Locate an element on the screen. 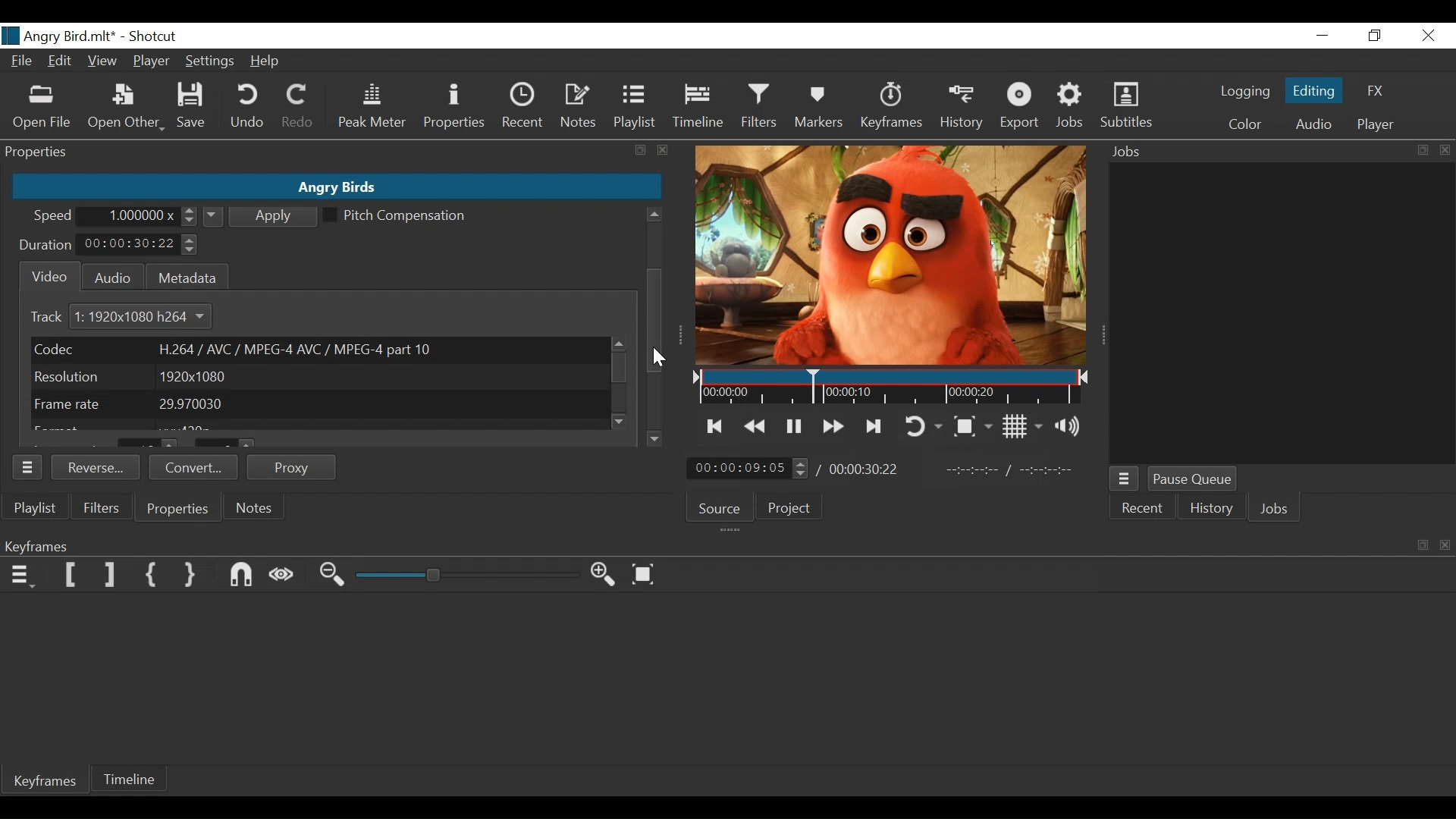 The width and height of the screenshot is (1456, 819). Export is located at coordinates (1023, 108).